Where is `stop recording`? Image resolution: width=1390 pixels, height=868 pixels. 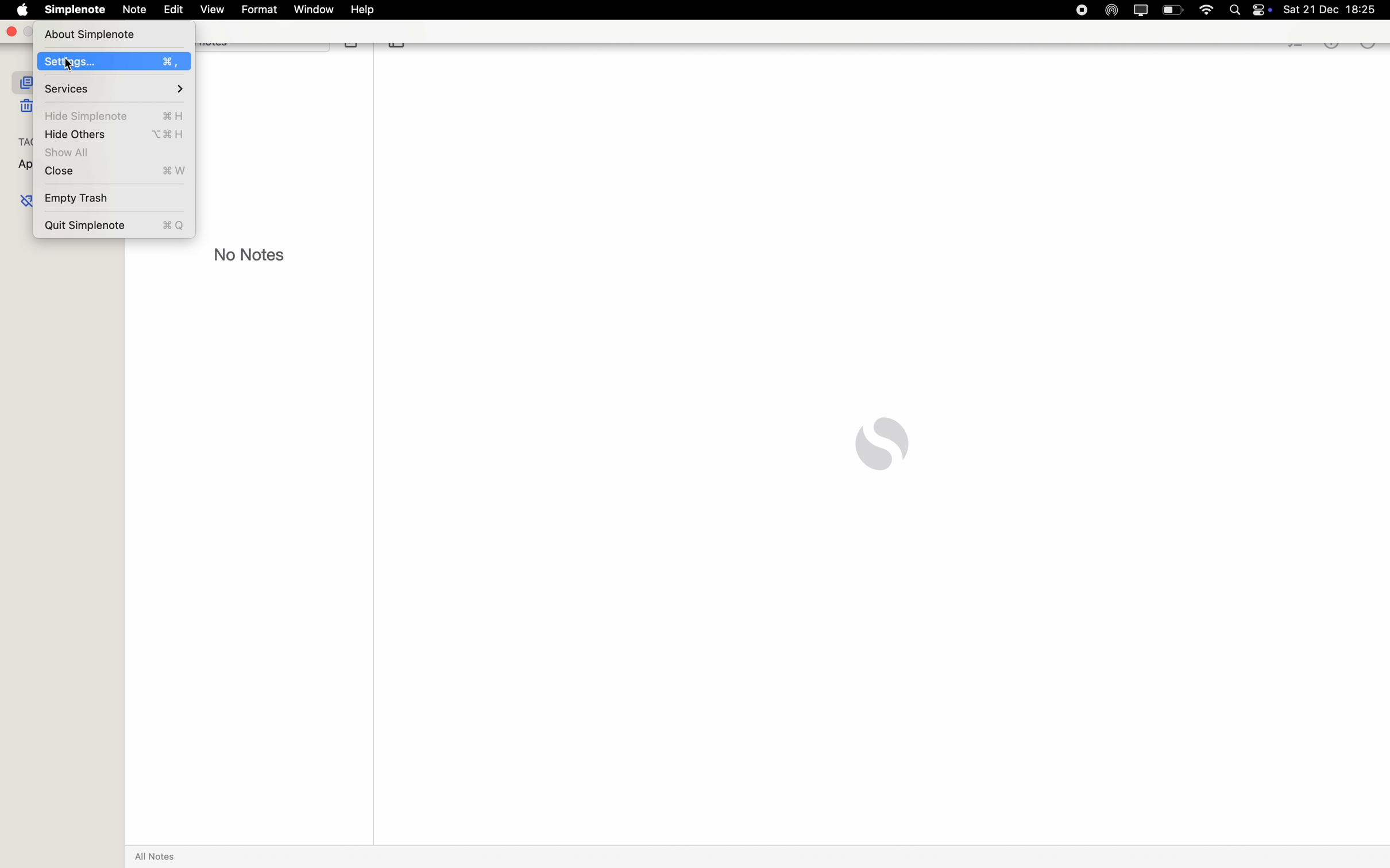 stop recording is located at coordinates (1079, 10).